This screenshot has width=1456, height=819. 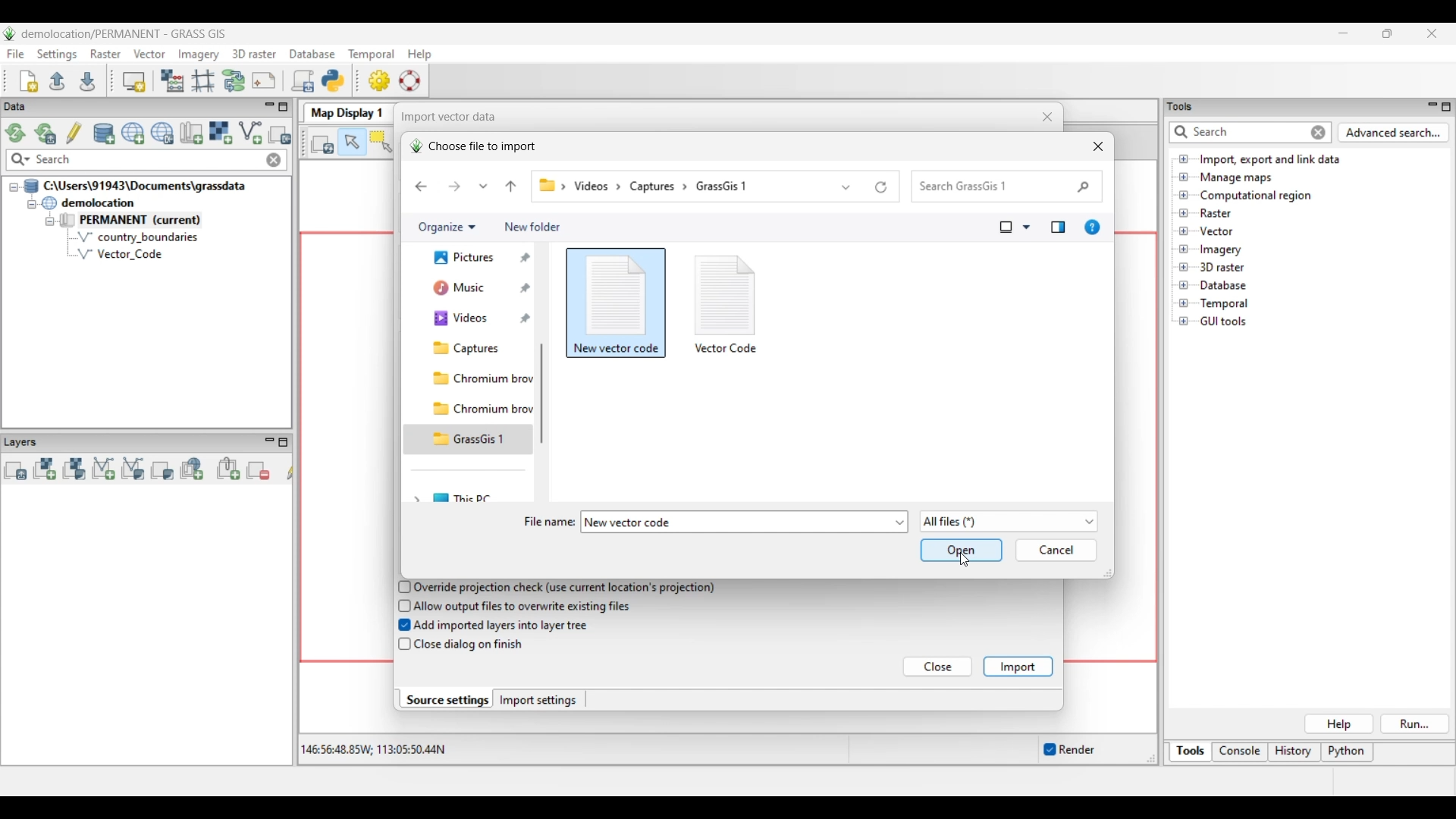 I want to click on Layers, so click(x=24, y=441).